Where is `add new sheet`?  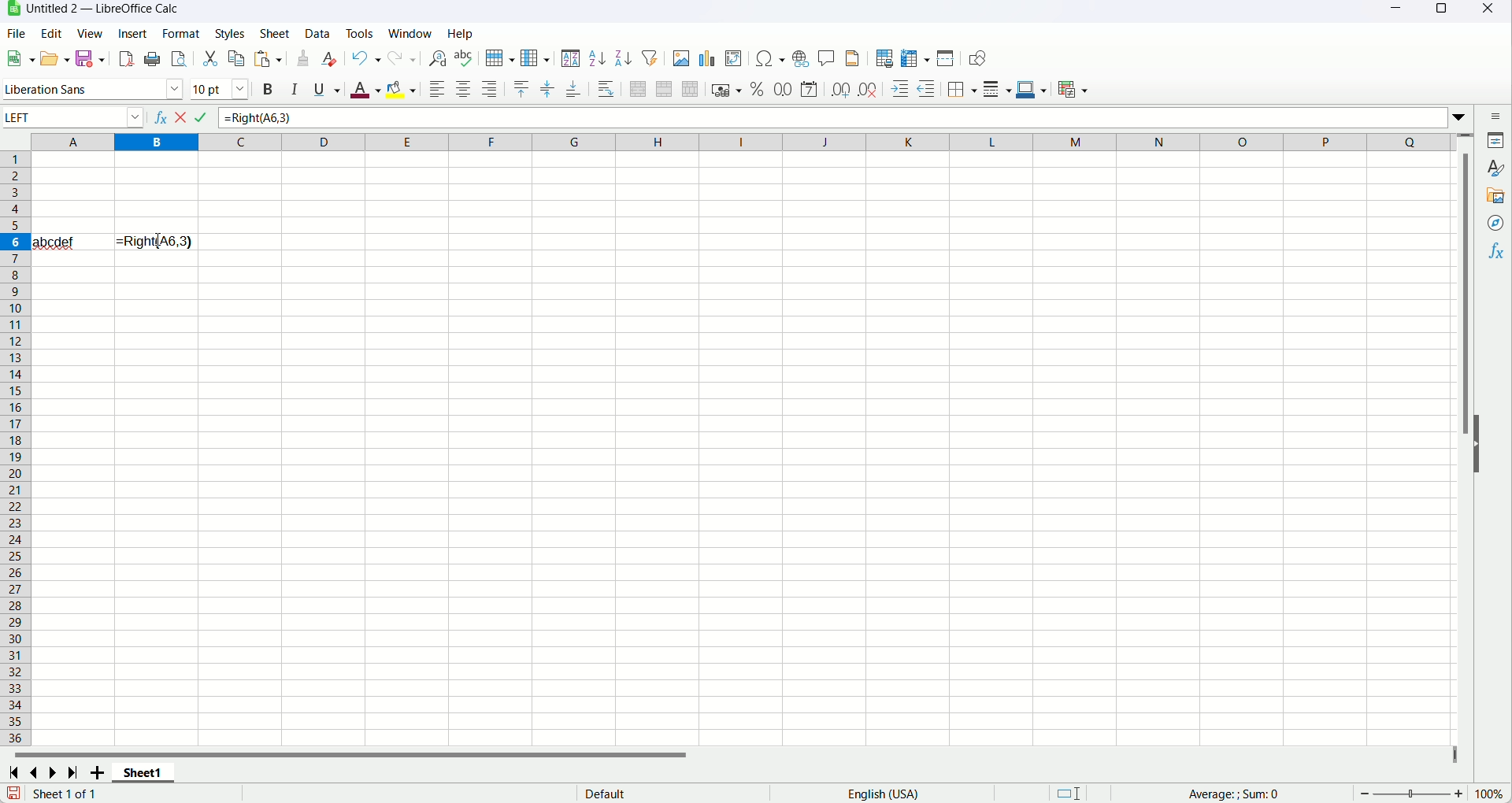 add new sheet is located at coordinates (97, 772).